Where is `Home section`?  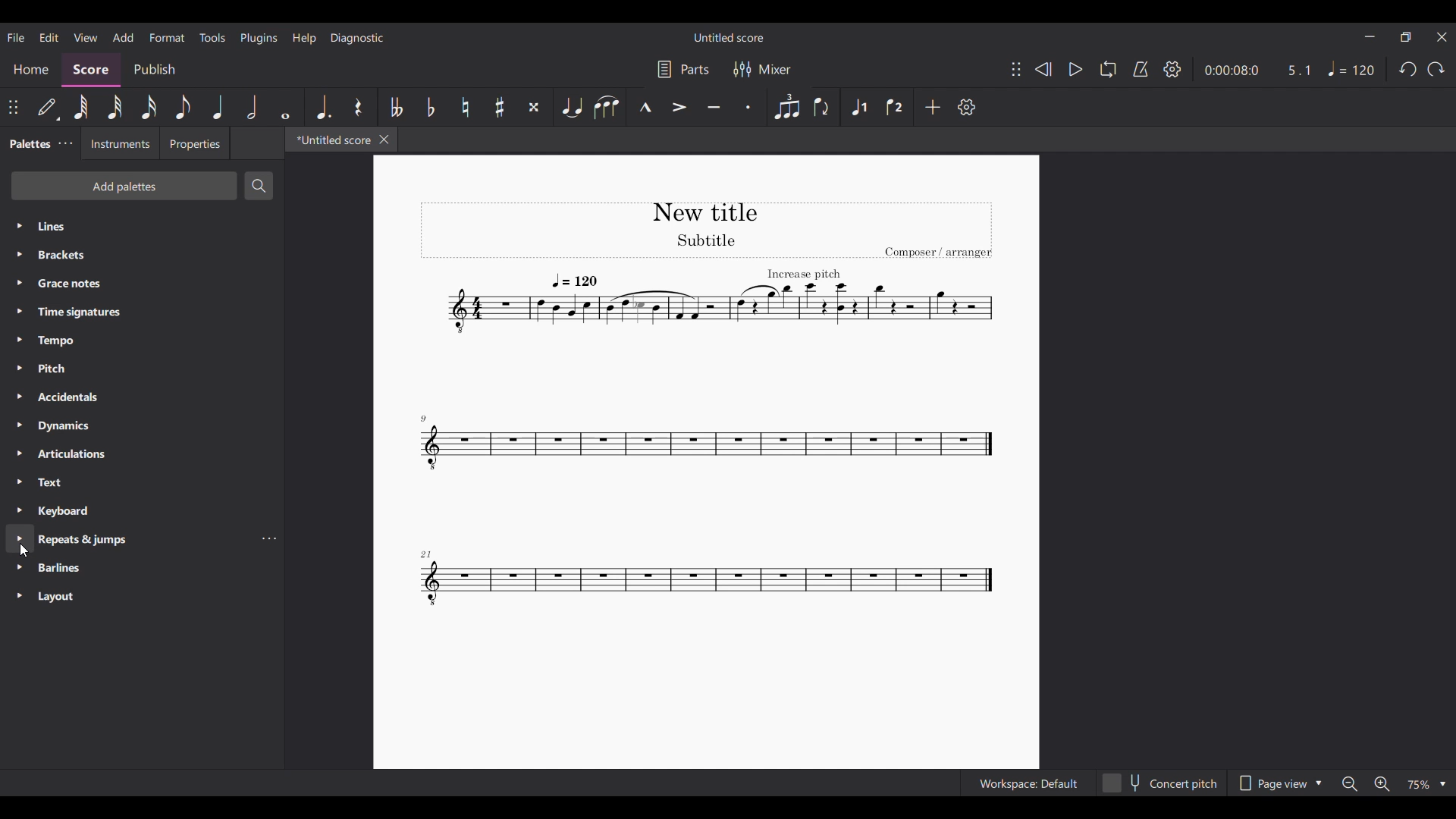 Home section is located at coordinates (30, 69).